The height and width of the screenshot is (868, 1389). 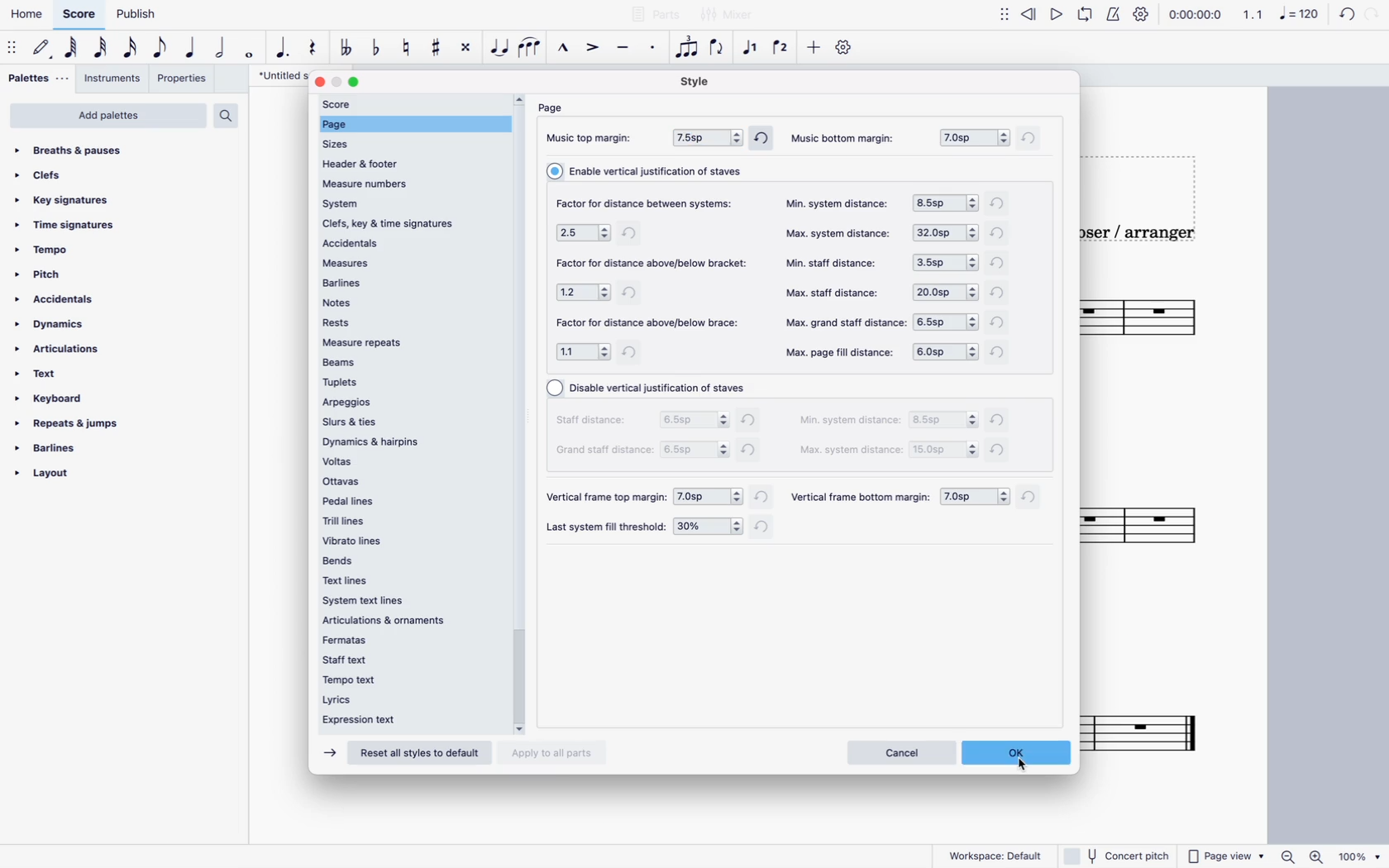 What do you see at coordinates (407, 322) in the screenshot?
I see `rests` at bounding box center [407, 322].